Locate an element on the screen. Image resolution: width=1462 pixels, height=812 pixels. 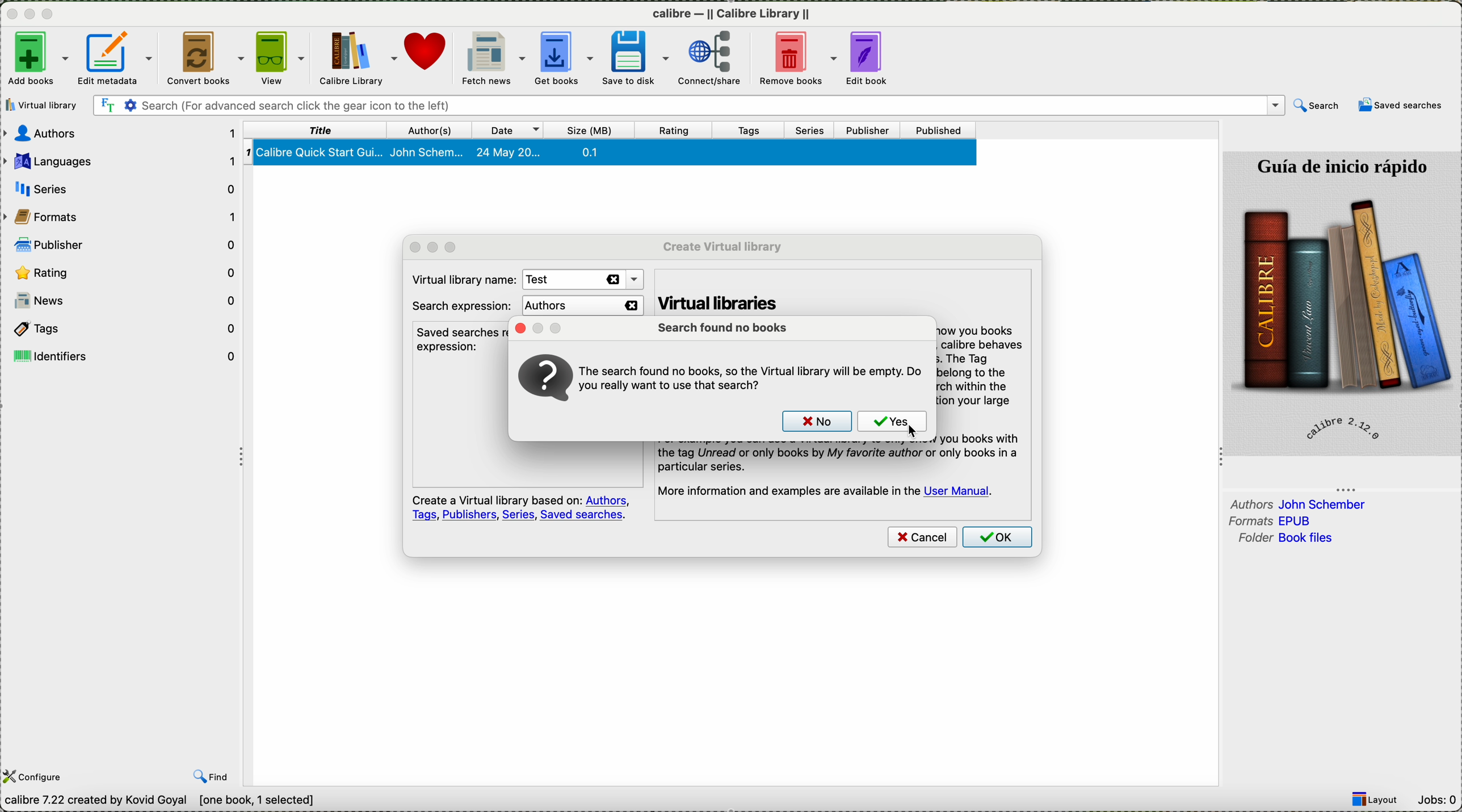
cancel is located at coordinates (921, 538).